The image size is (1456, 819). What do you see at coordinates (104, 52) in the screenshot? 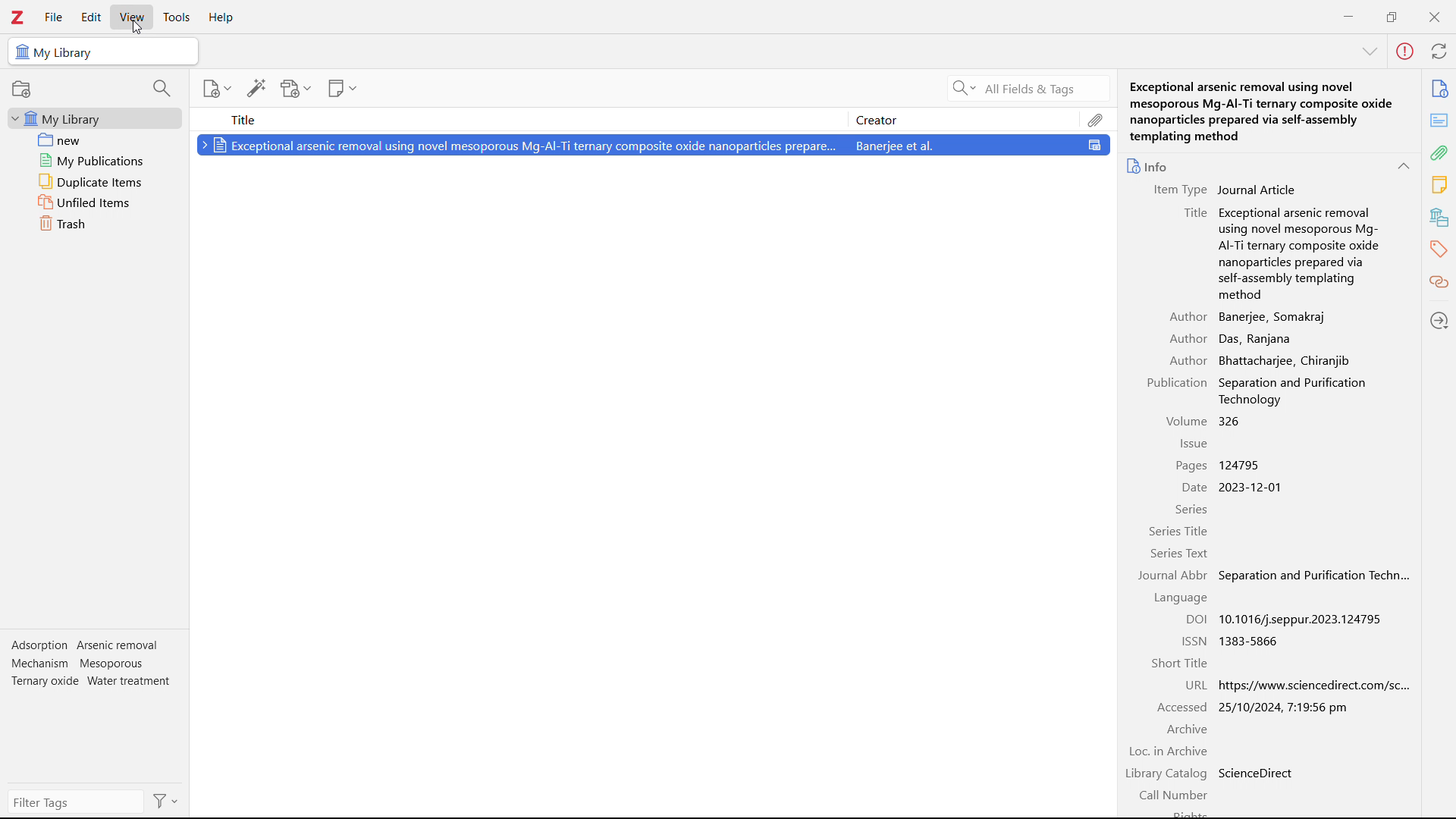
I see `My Library` at bounding box center [104, 52].